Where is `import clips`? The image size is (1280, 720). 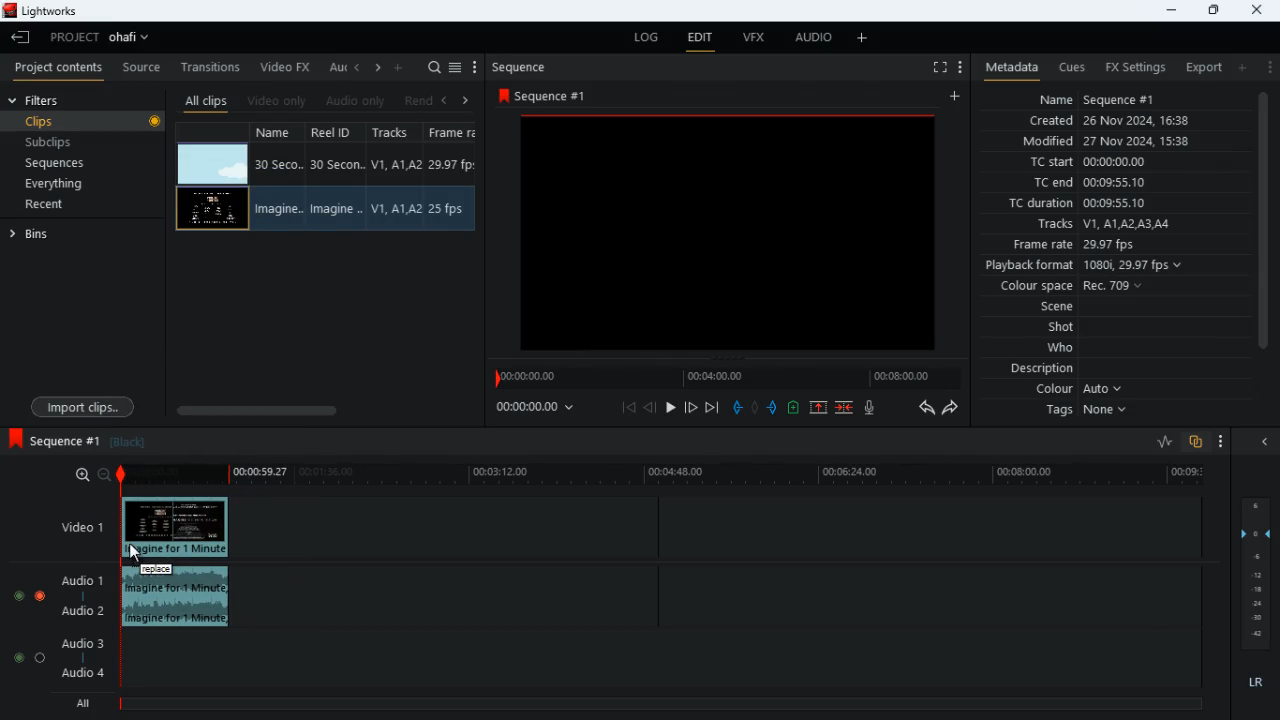
import clips is located at coordinates (86, 405).